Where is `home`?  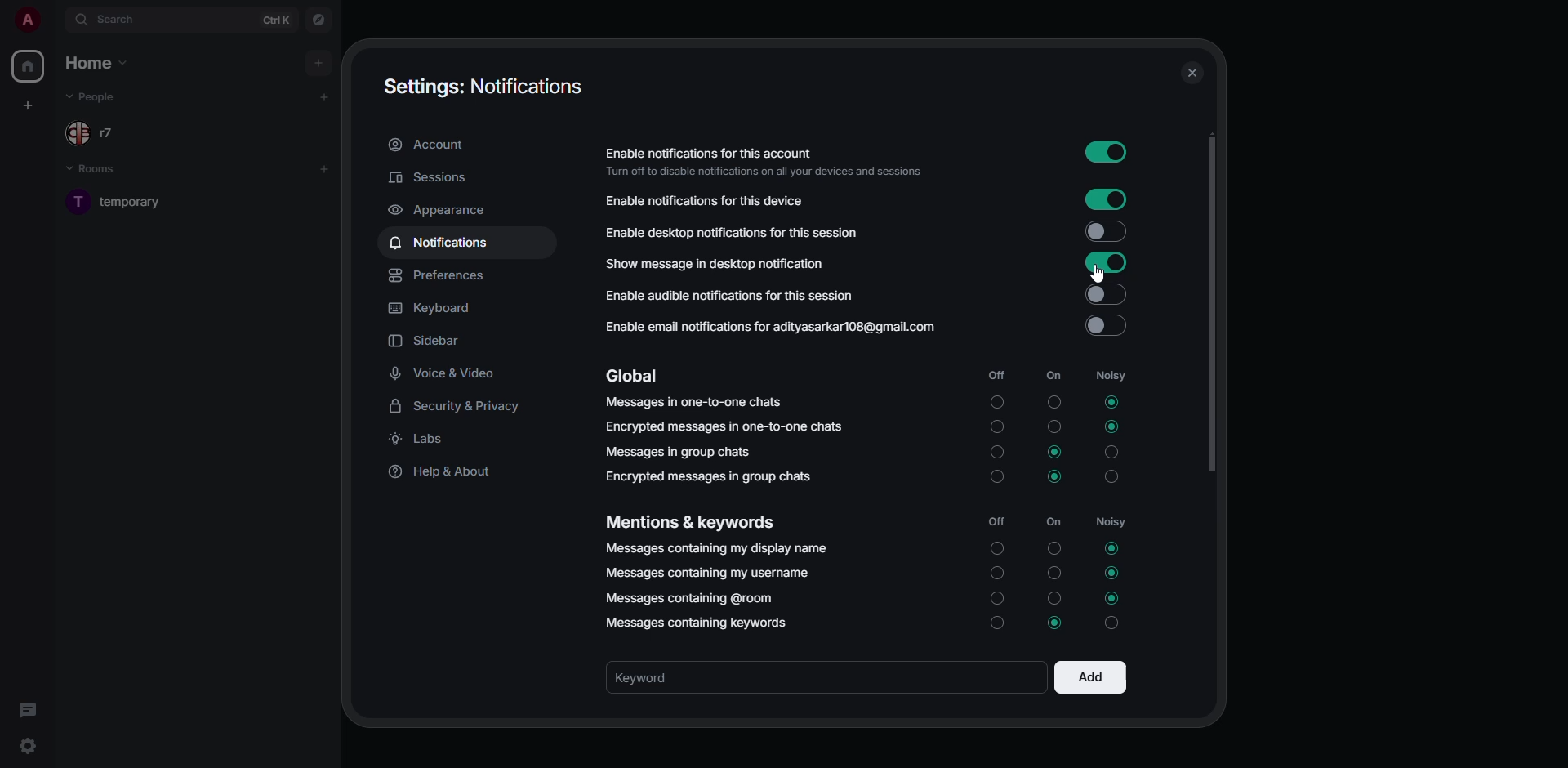 home is located at coordinates (26, 66).